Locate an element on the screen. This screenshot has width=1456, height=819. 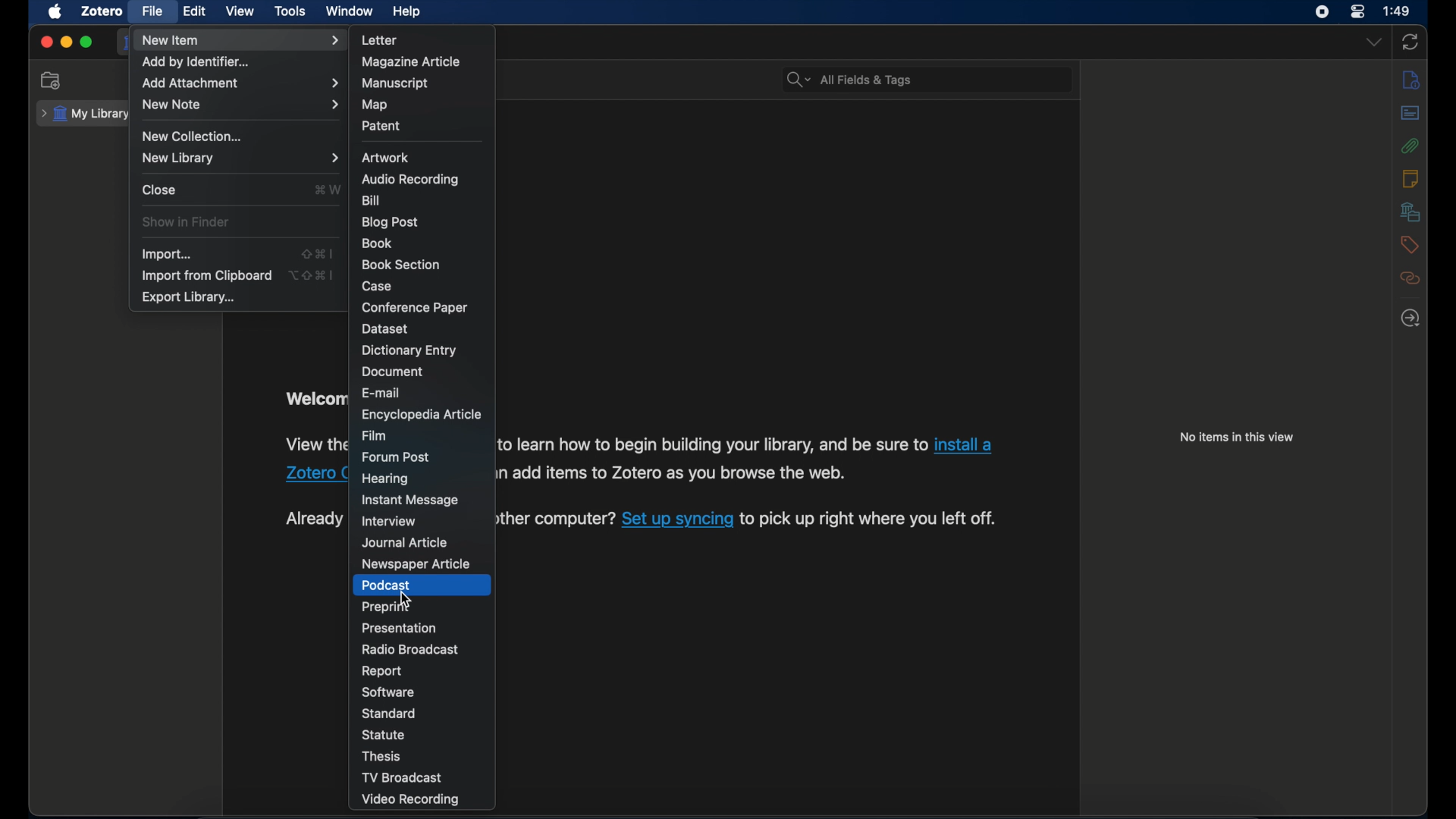
conference paper is located at coordinates (414, 307).